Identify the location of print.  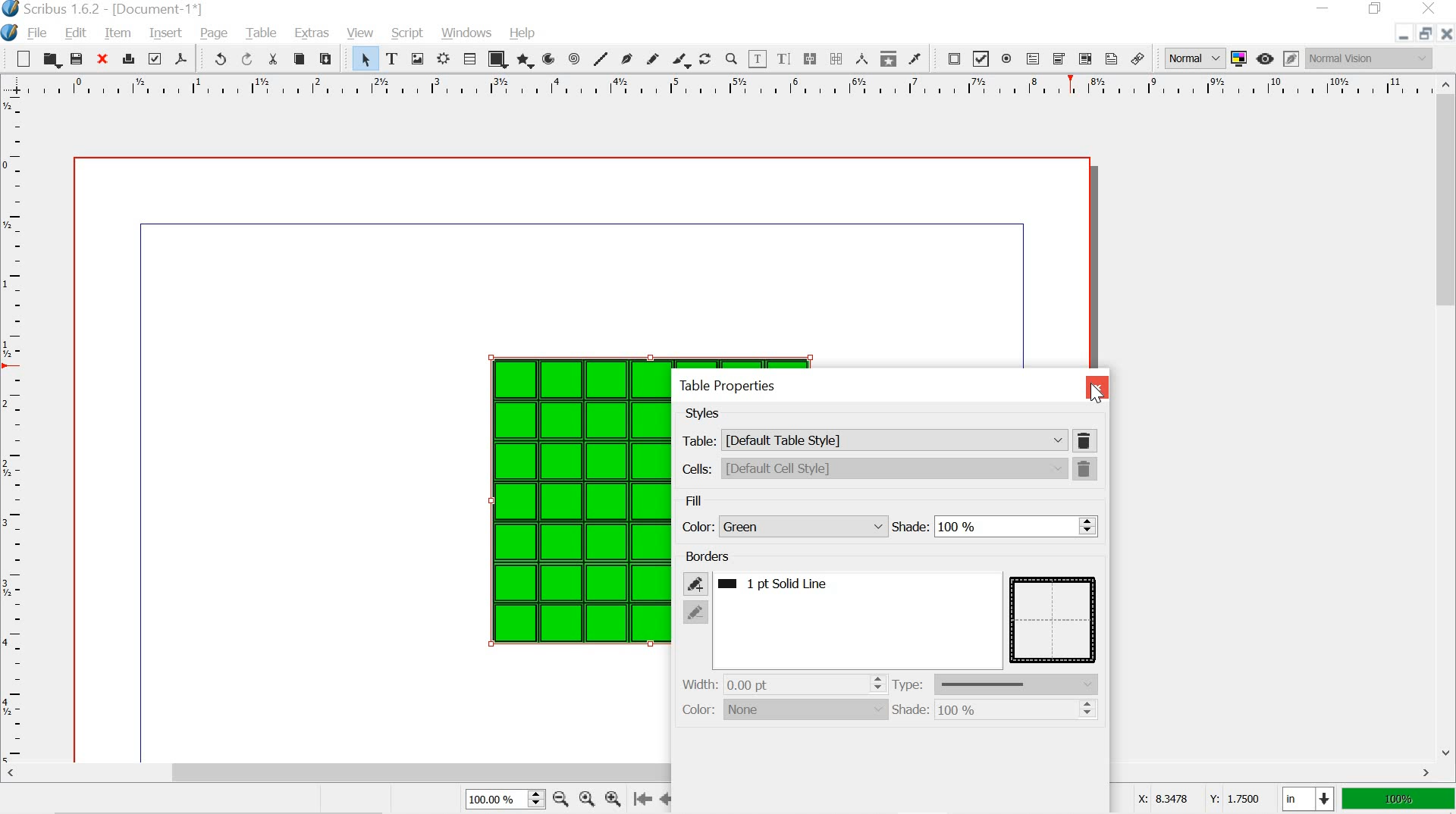
(129, 60).